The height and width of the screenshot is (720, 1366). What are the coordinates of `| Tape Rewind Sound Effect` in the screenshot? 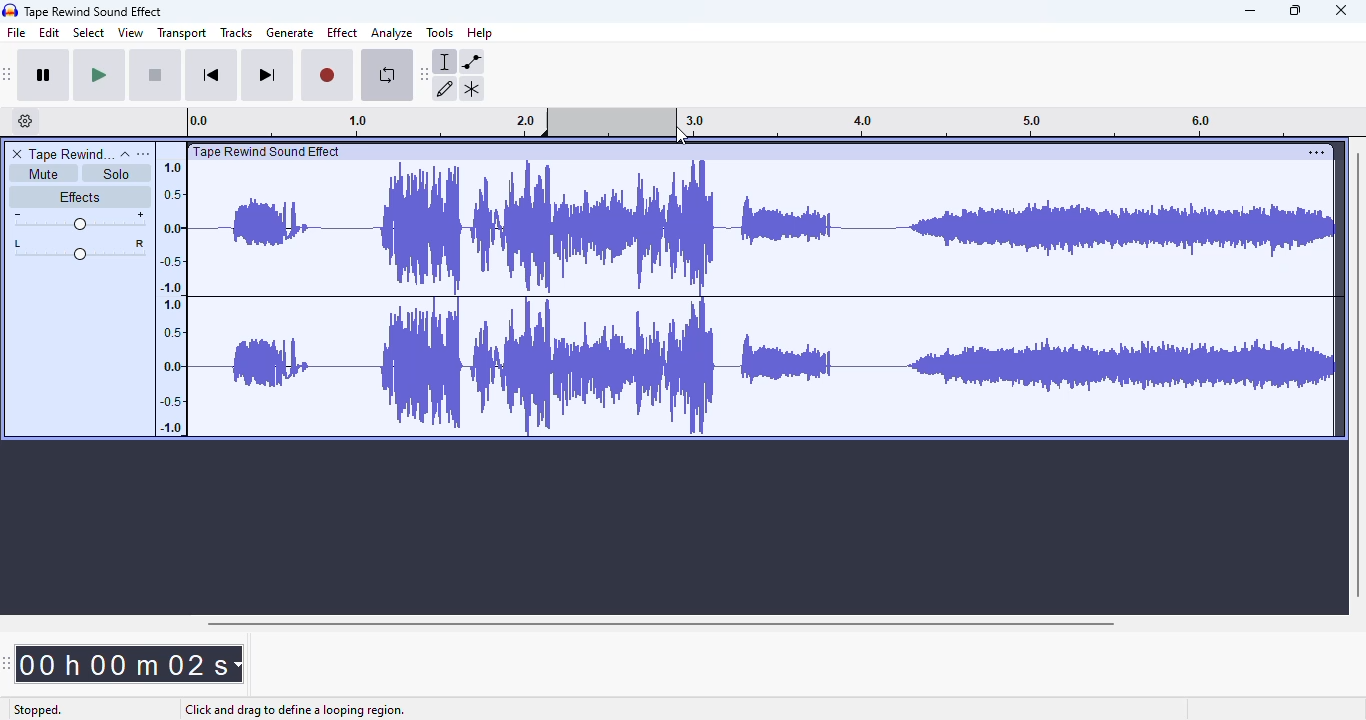 It's located at (266, 152).